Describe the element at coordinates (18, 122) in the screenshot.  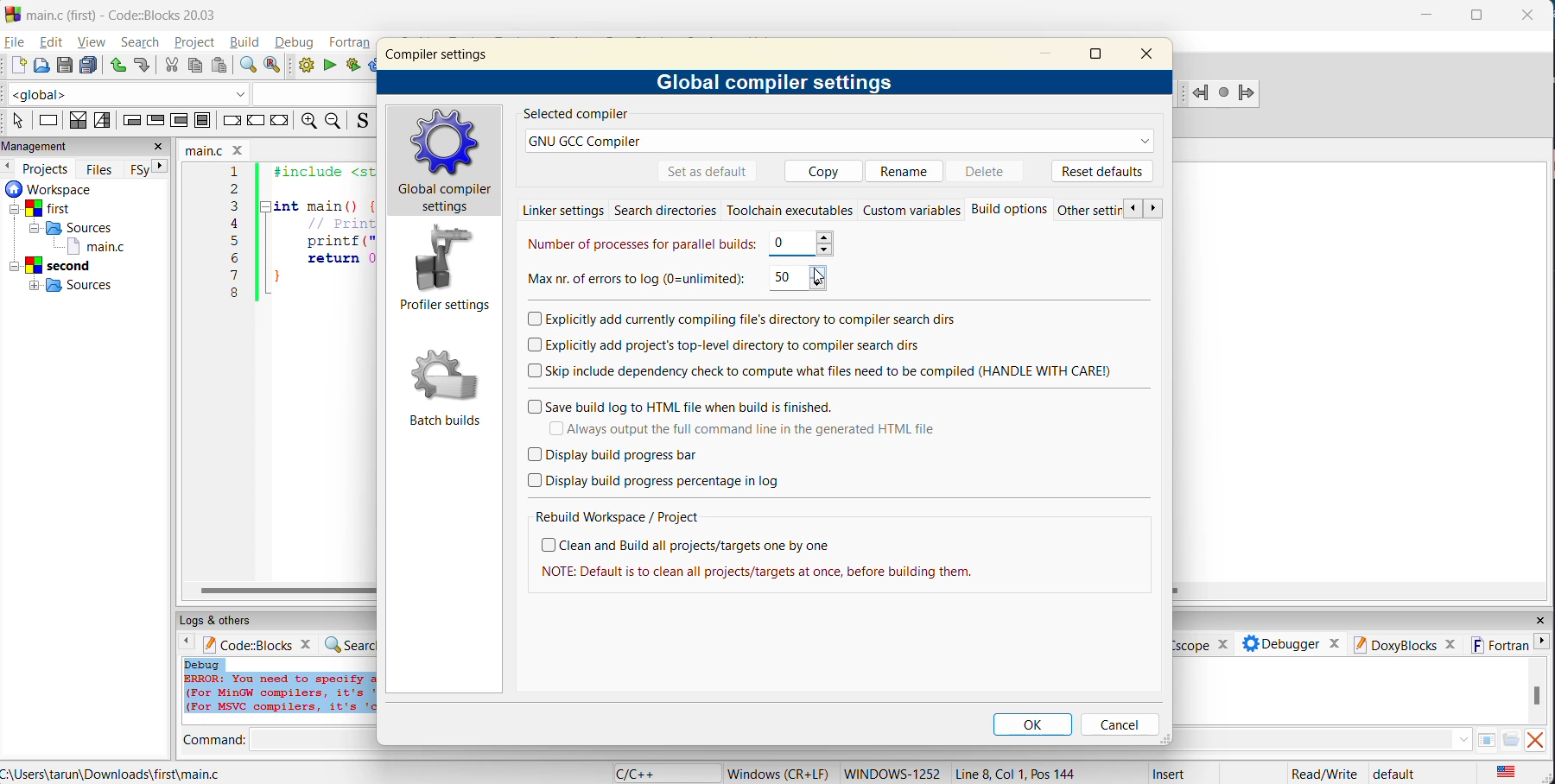
I see `select` at that location.